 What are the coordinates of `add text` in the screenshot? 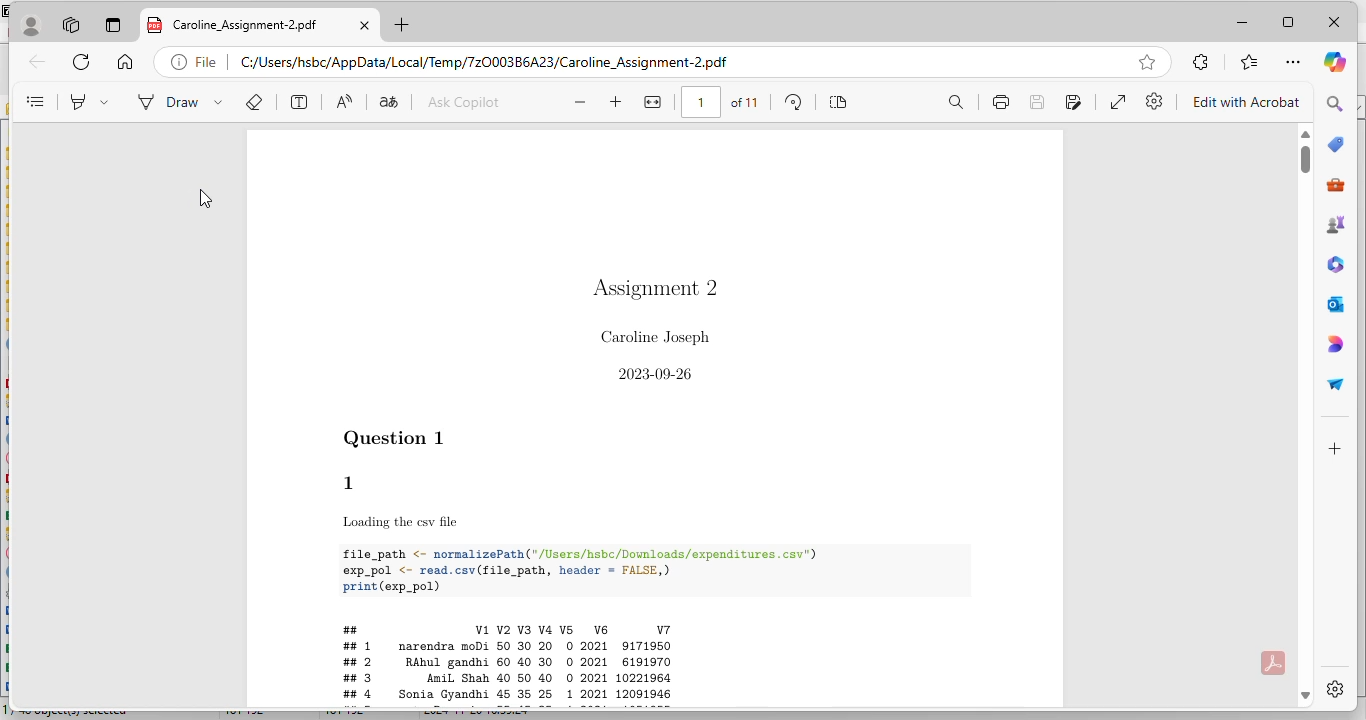 It's located at (299, 101).